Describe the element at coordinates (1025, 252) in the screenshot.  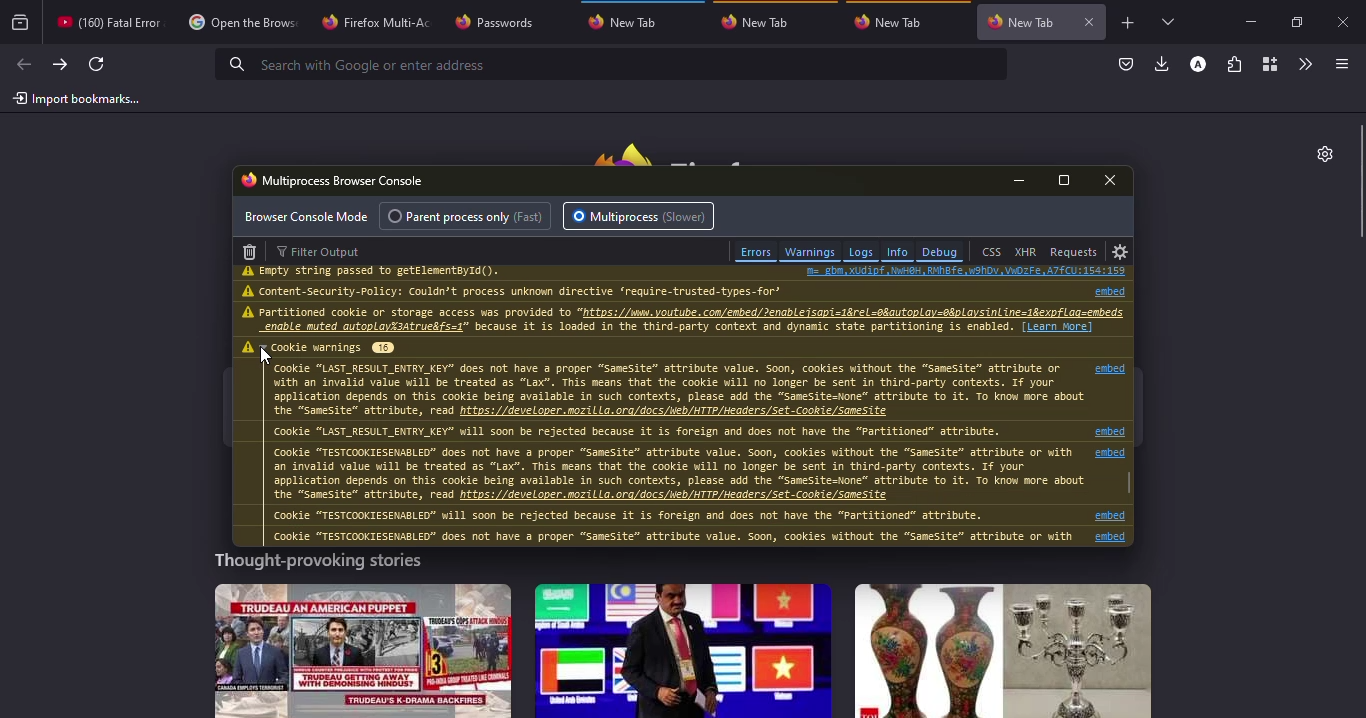
I see `xhr` at that location.